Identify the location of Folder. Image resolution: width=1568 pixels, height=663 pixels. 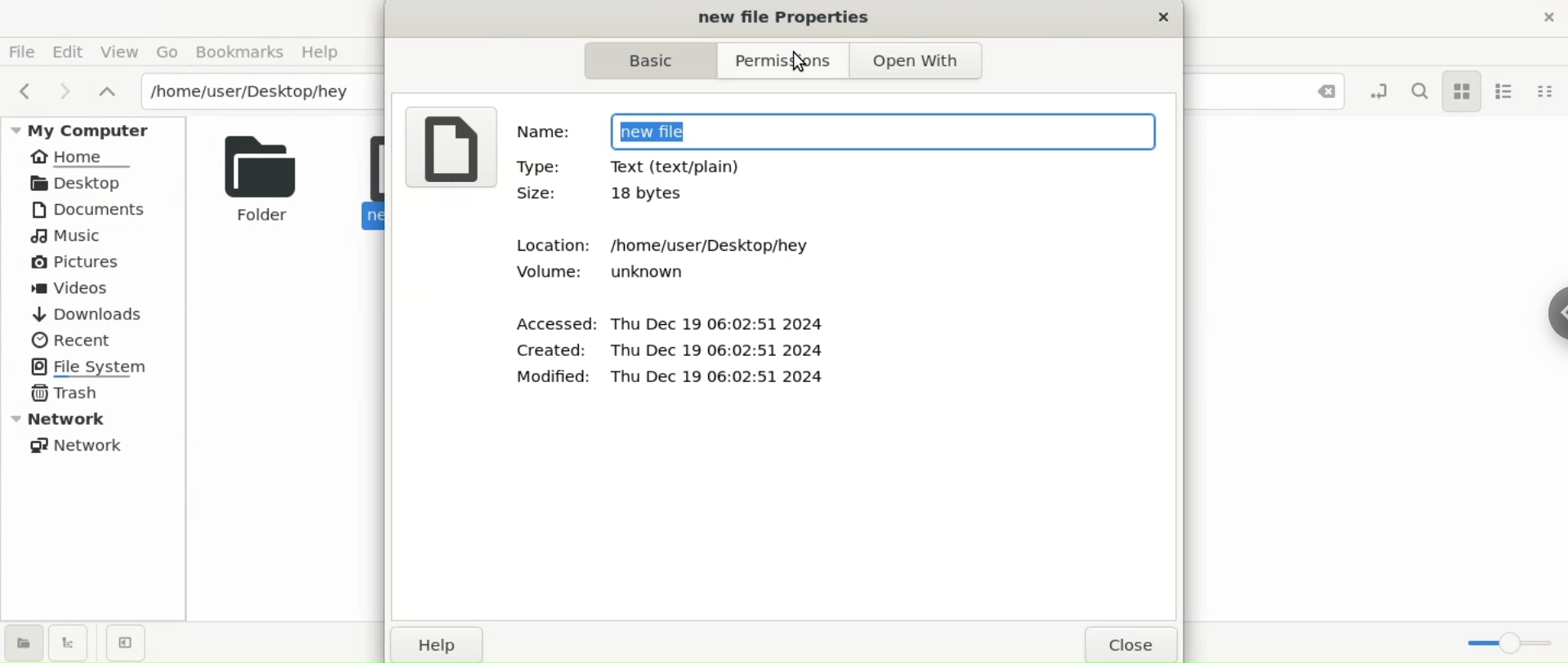
(256, 177).